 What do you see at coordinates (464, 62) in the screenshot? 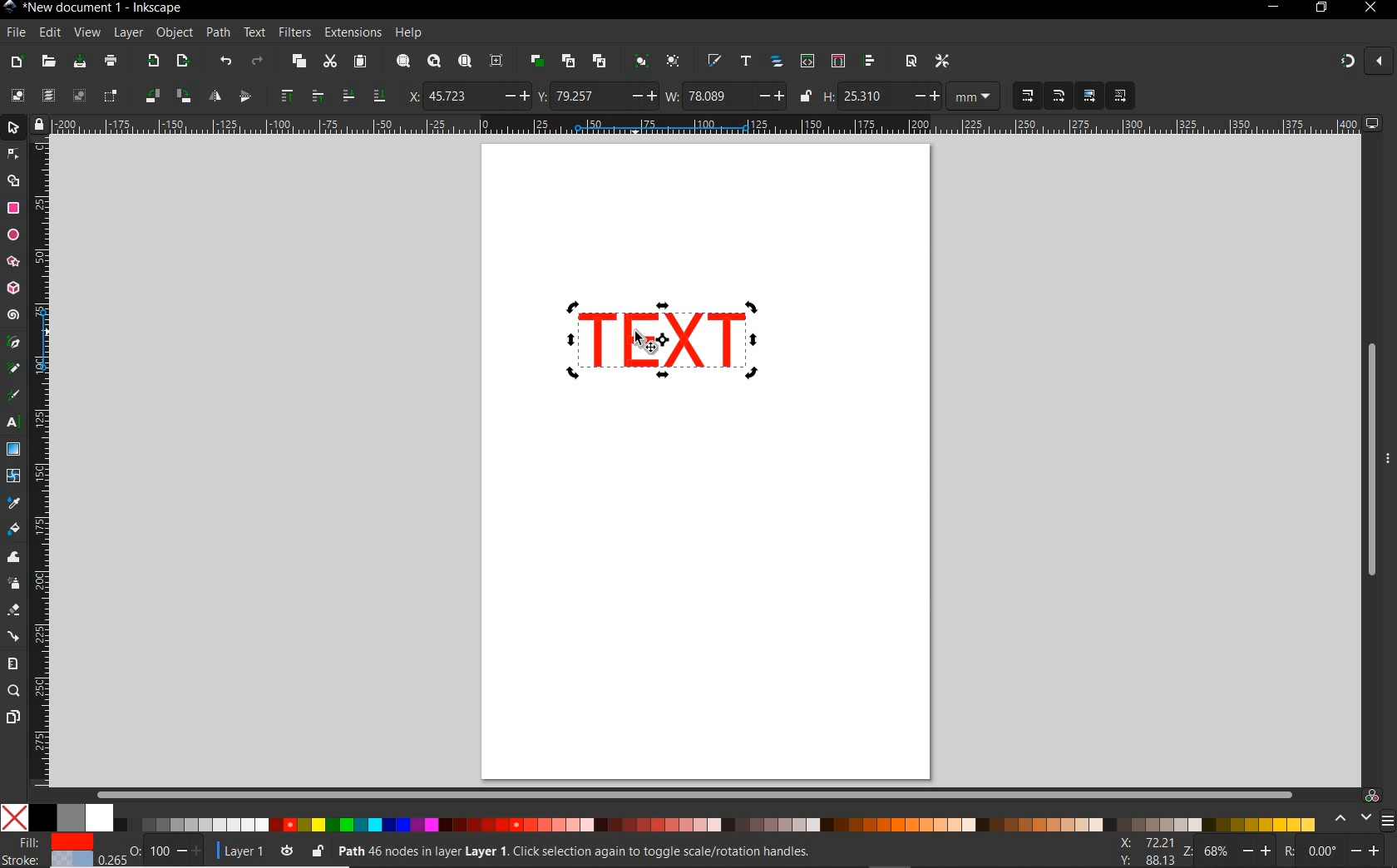
I see `ZOOM PAGE` at bounding box center [464, 62].